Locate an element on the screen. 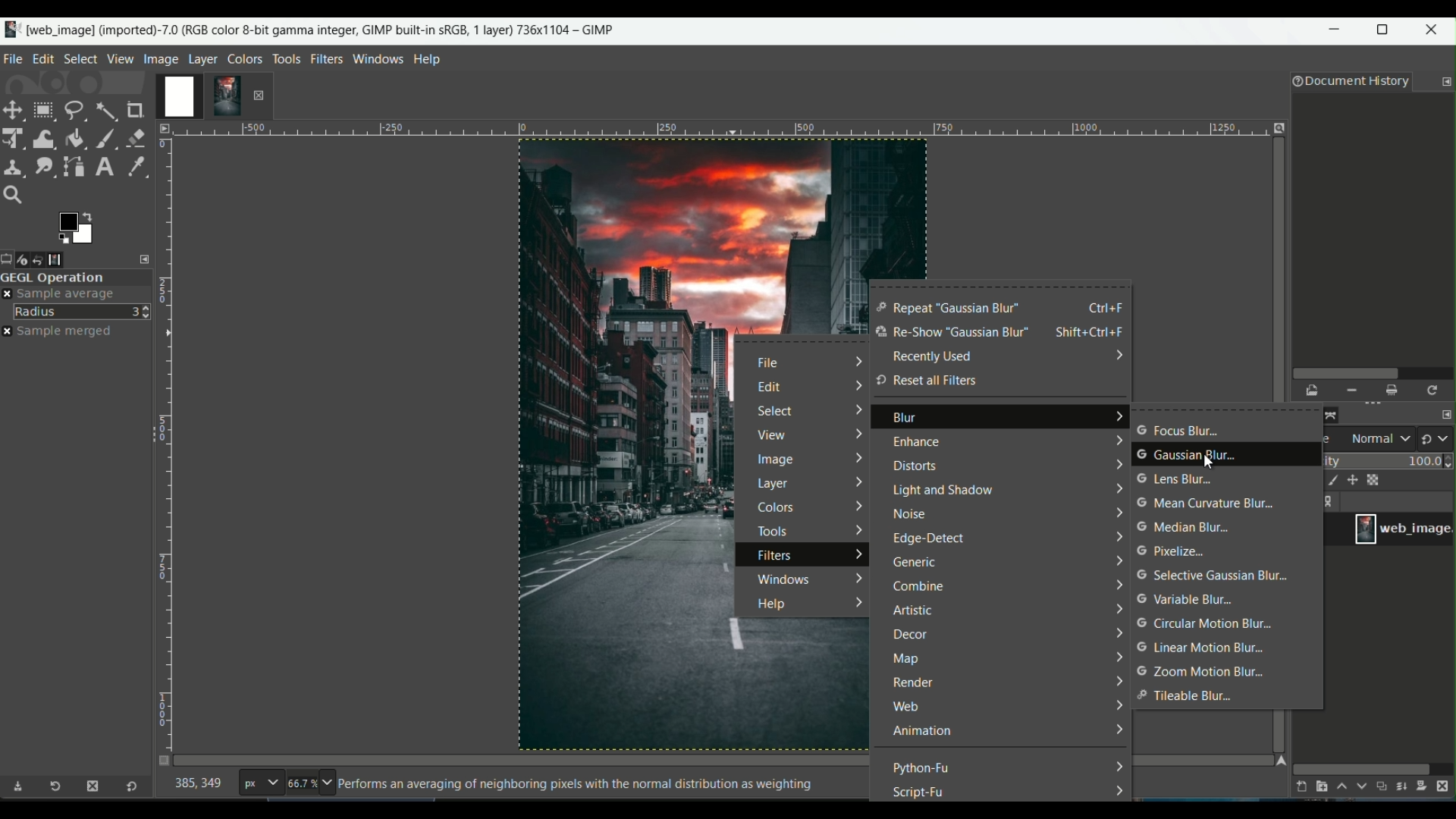  text tool is located at coordinates (103, 167).